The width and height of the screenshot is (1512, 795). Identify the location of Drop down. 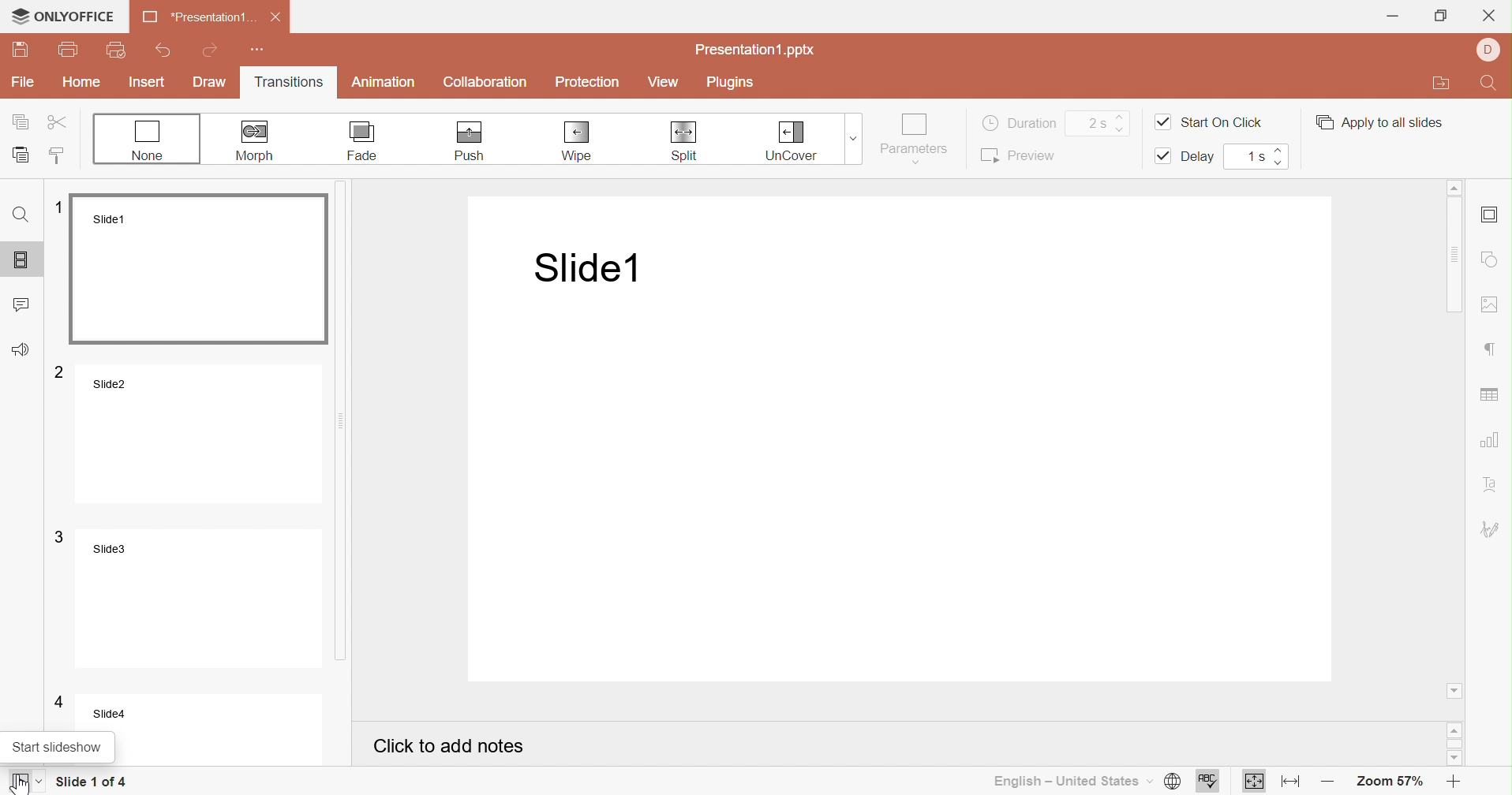
(851, 136).